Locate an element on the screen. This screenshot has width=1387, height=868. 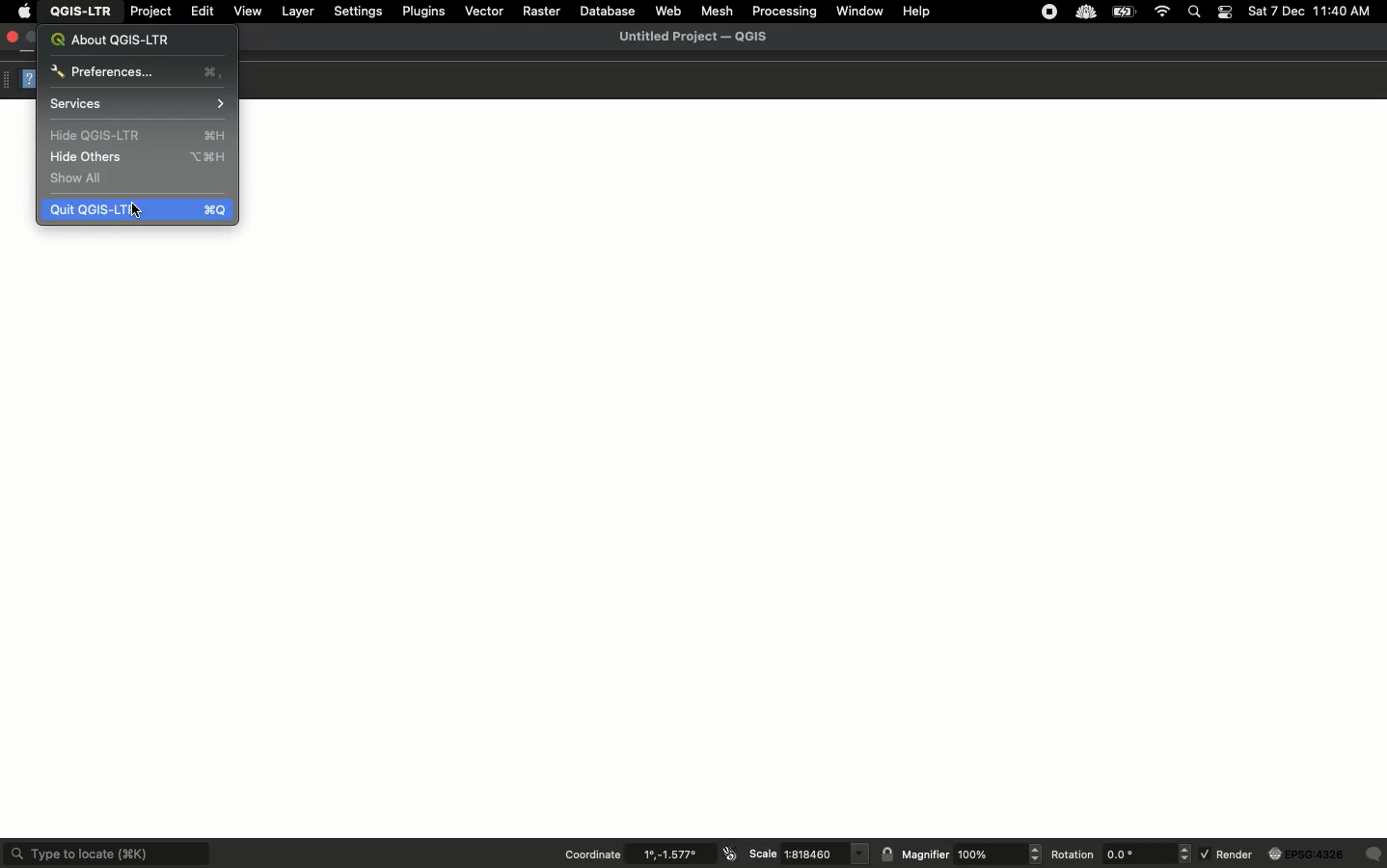
Preferences is located at coordinates (135, 72).